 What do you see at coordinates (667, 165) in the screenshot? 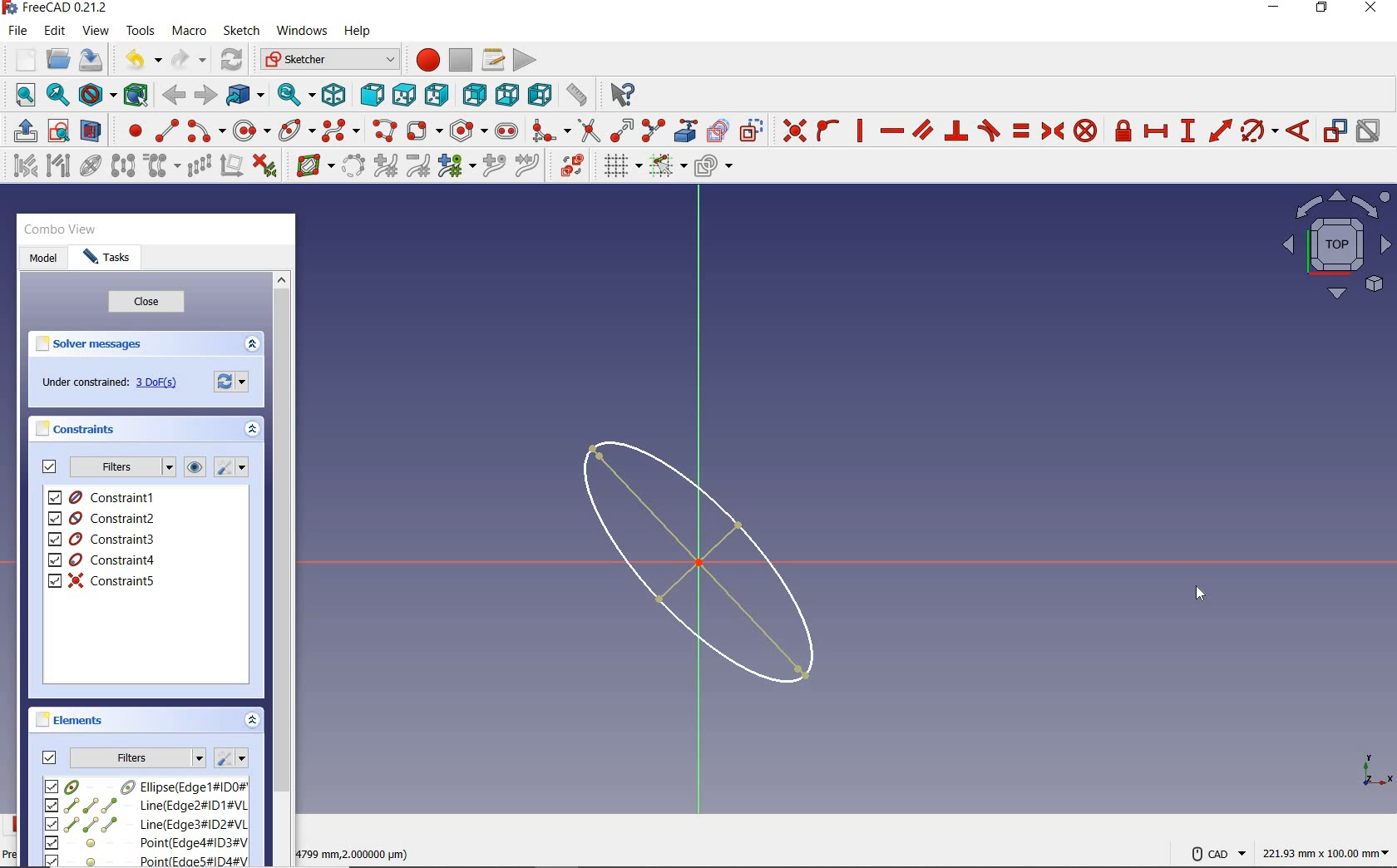
I see `toggle snap` at bounding box center [667, 165].